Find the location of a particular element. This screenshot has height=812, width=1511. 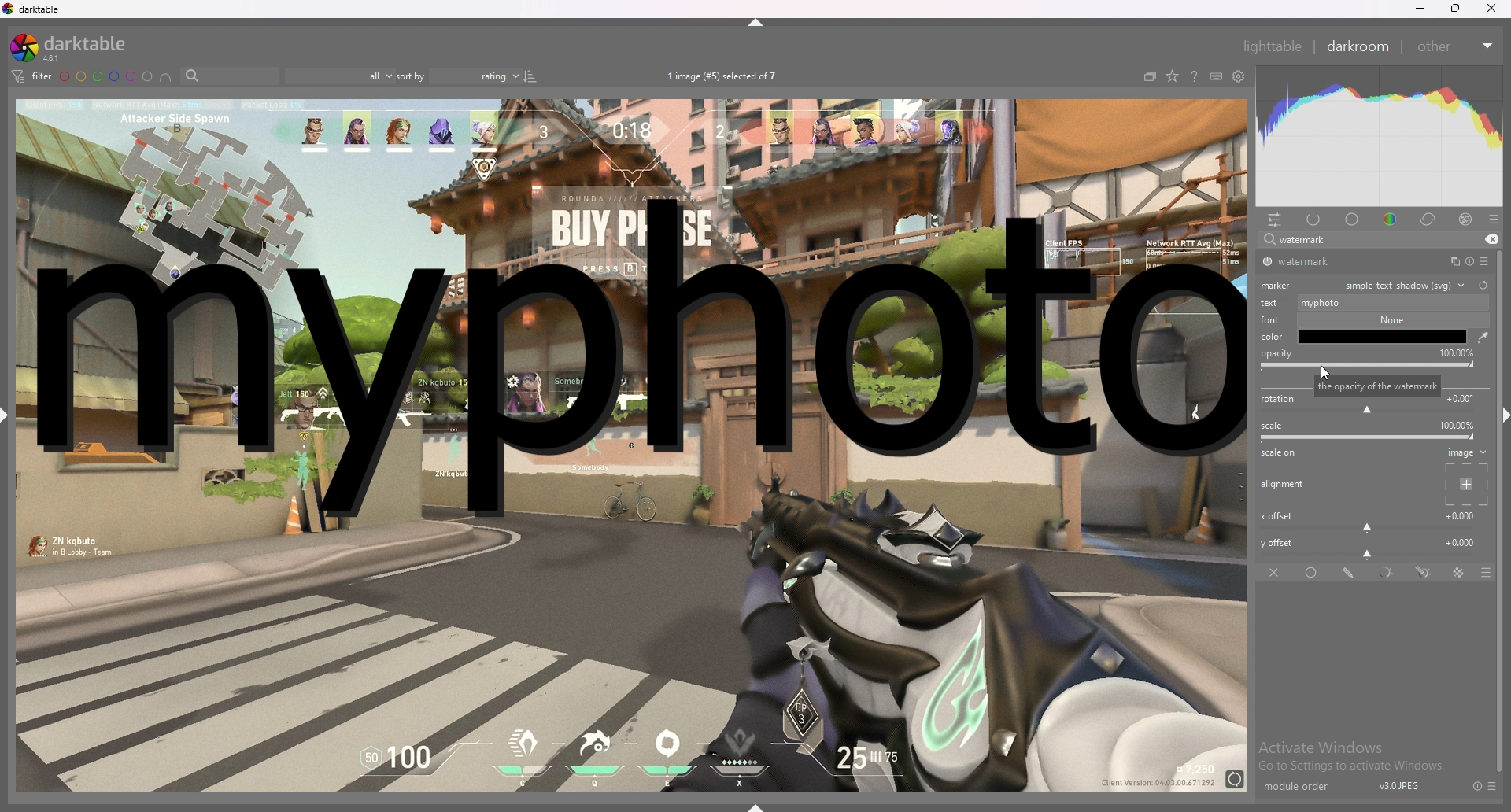

rotation is located at coordinates (1371, 405).